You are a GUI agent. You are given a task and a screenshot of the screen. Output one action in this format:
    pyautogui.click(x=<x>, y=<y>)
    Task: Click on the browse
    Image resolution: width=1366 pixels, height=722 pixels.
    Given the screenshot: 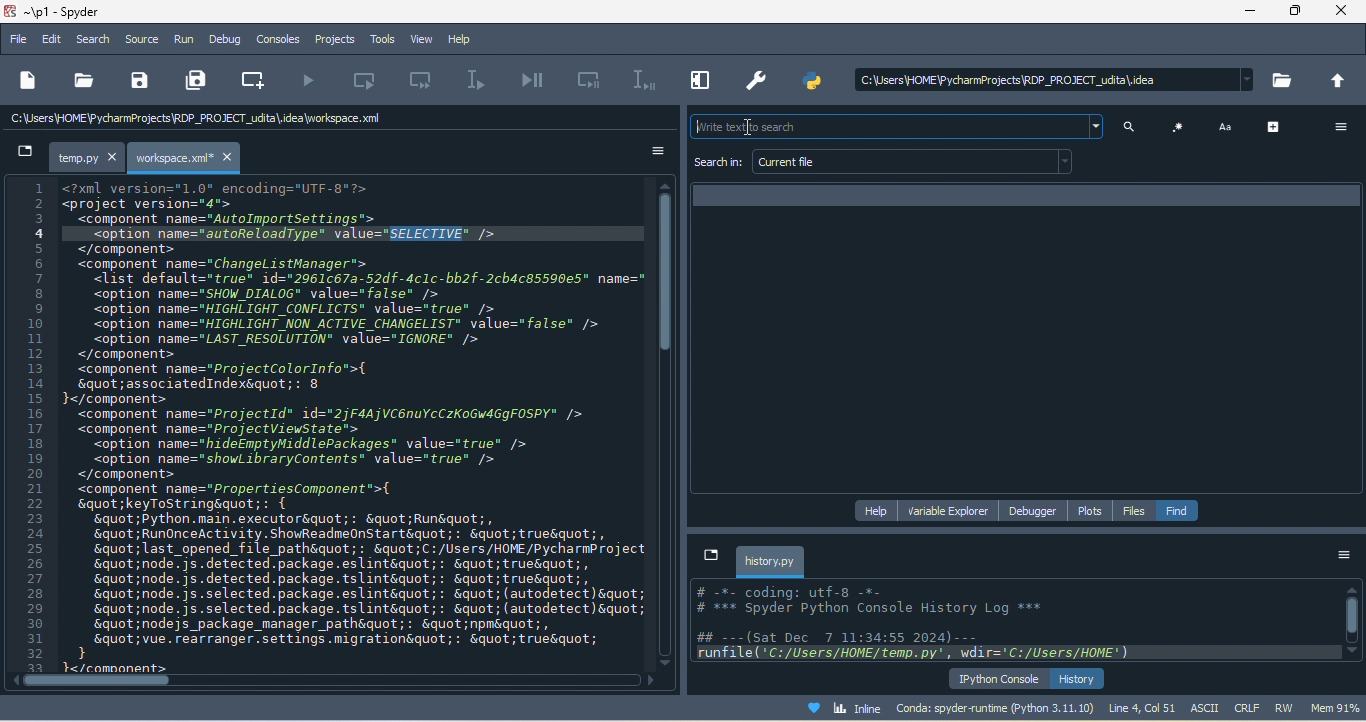 What is the action you would take?
    pyautogui.click(x=1285, y=84)
    